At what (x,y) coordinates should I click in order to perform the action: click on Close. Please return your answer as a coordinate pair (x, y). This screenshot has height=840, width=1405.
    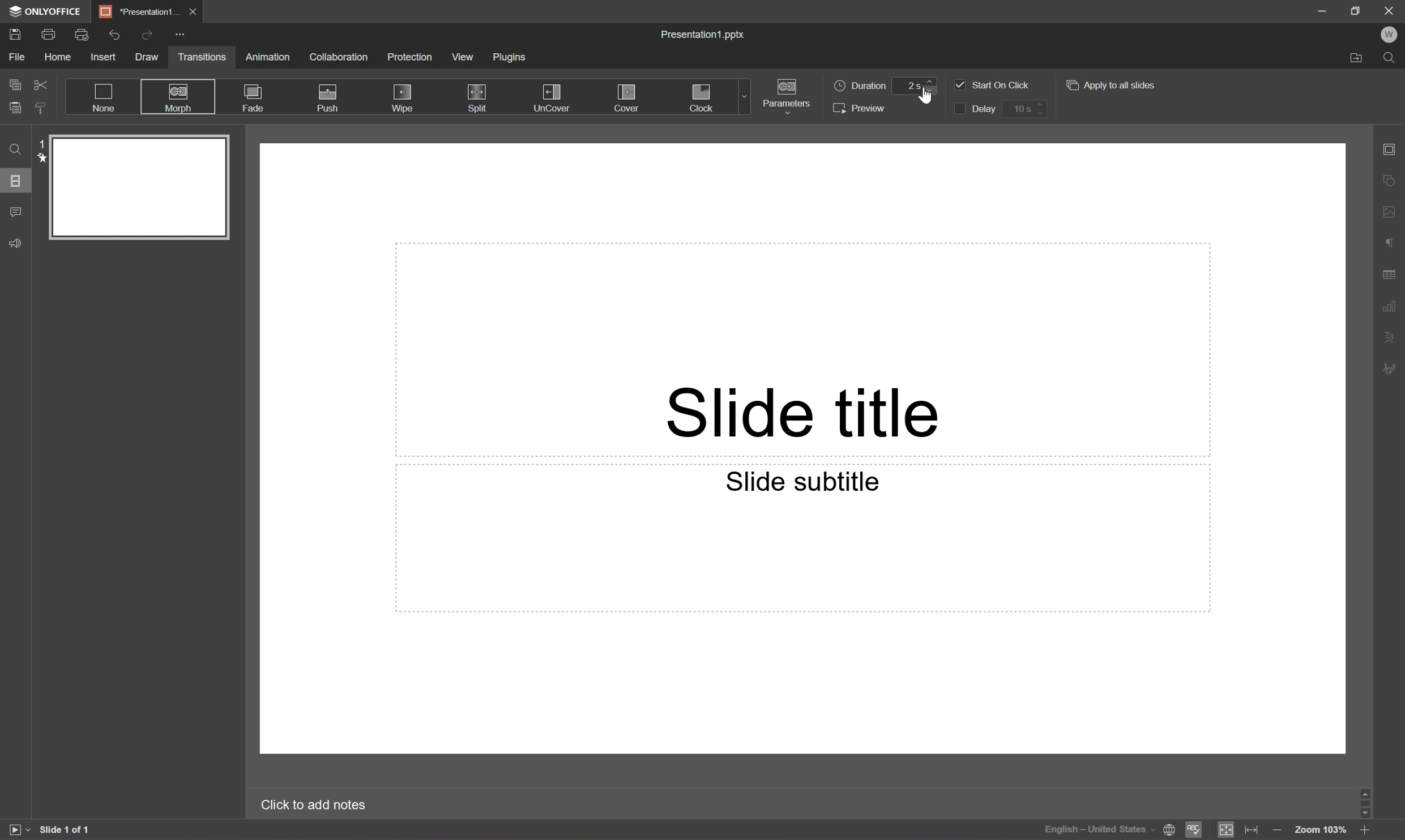
    Looking at the image, I should click on (194, 12).